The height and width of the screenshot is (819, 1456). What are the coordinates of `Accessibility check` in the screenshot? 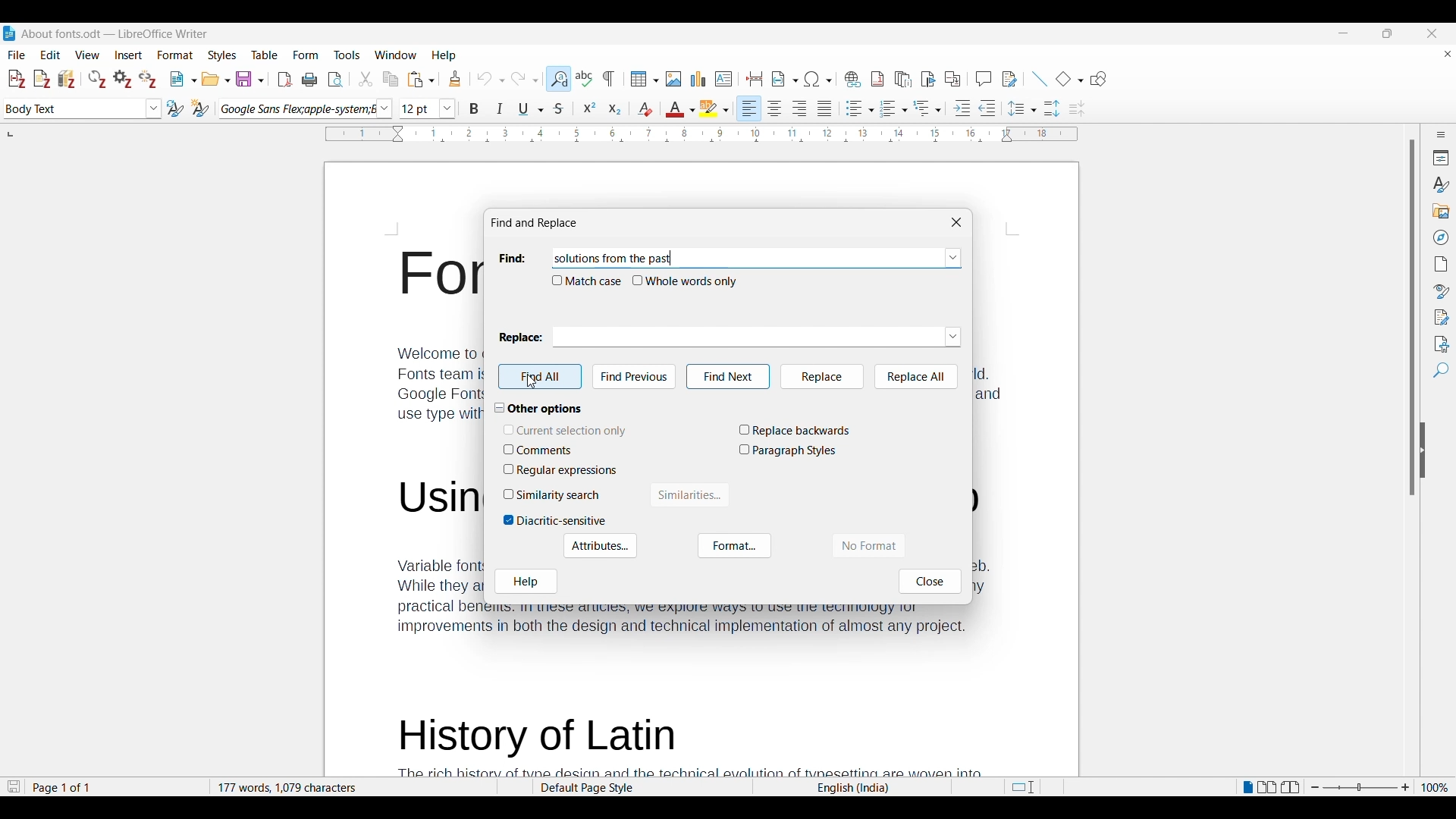 It's located at (1439, 344).